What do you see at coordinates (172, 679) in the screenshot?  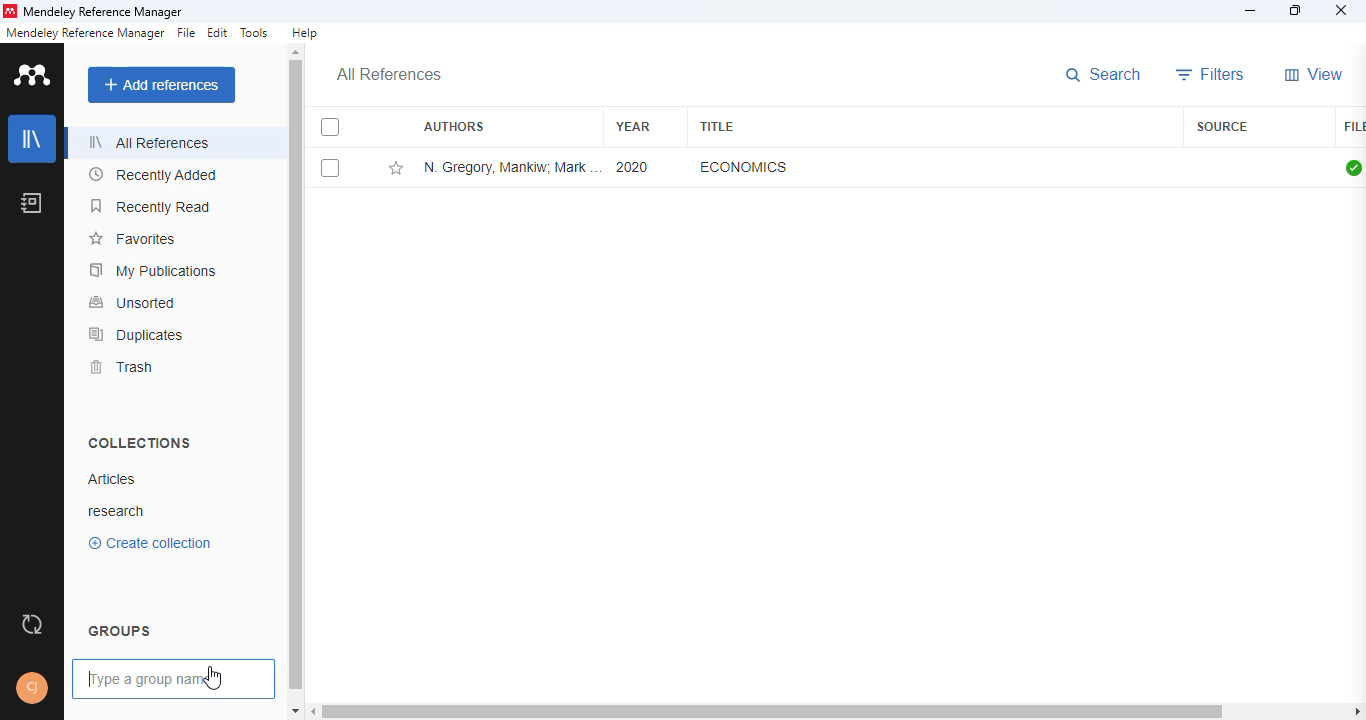 I see `typing a group name` at bounding box center [172, 679].